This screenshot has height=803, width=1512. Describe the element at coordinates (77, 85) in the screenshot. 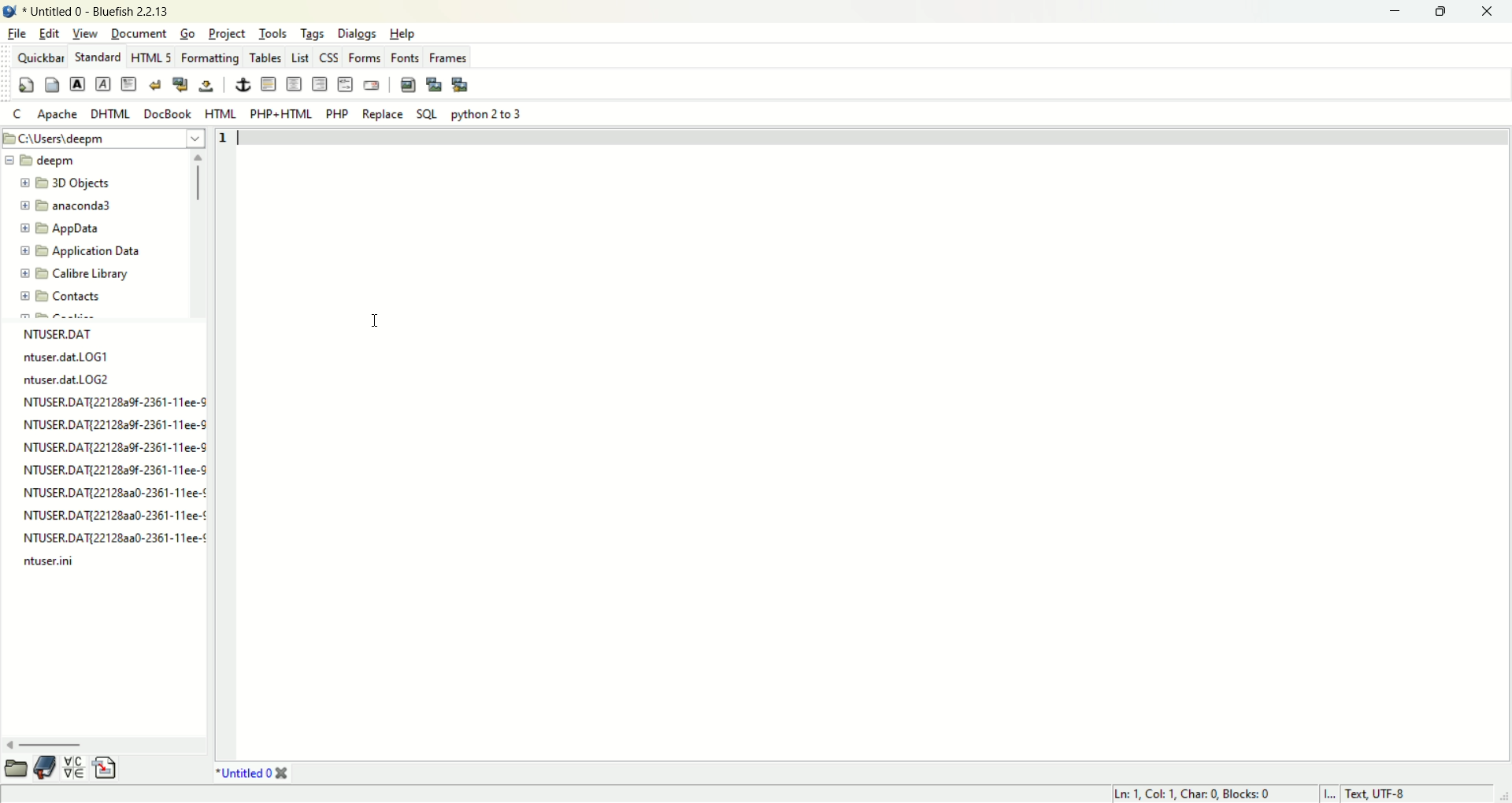

I see `strong` at that location.